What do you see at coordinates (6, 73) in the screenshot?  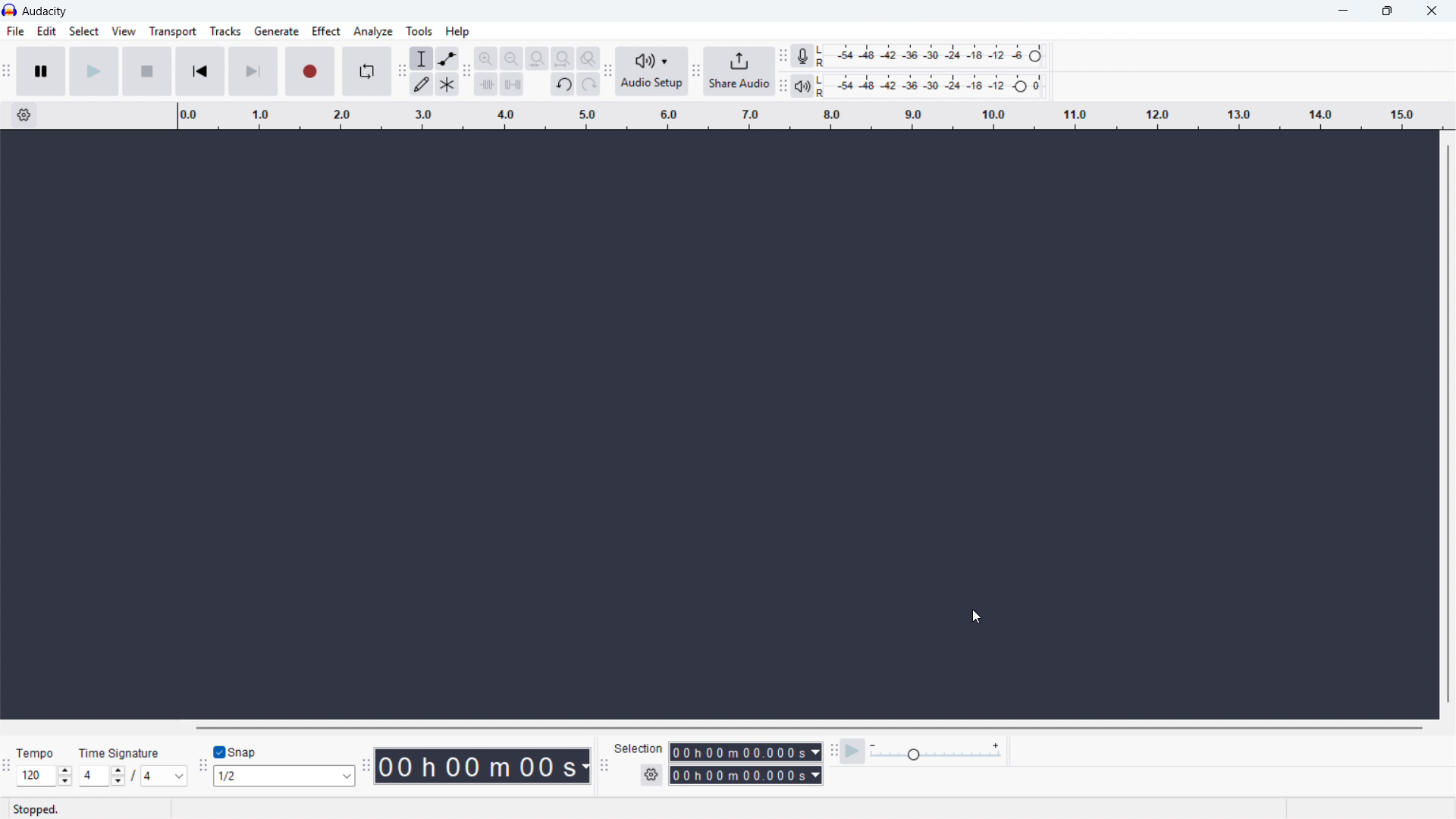 I see `transport toolbar` at bounding box center [6, 73].